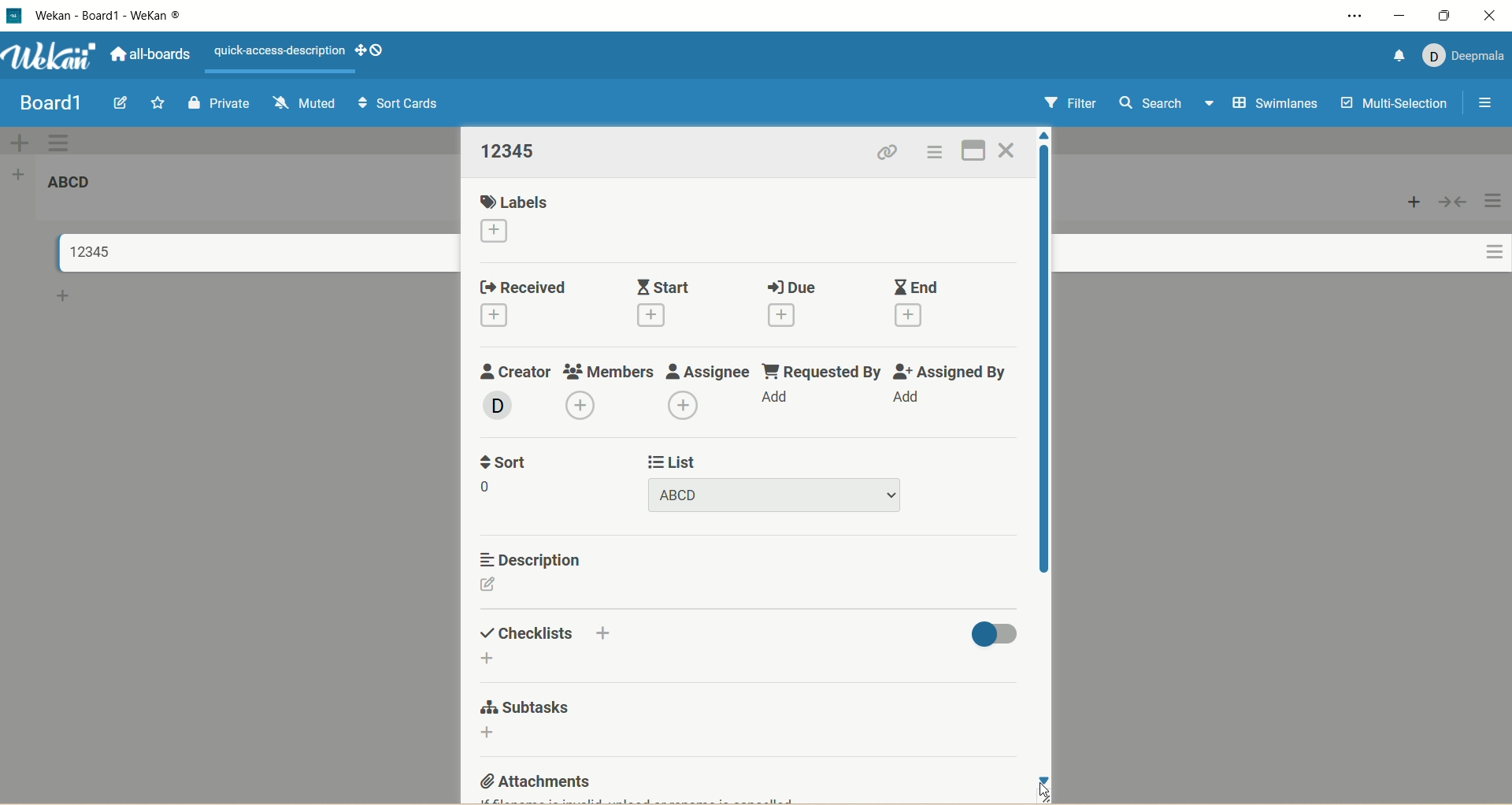 This screenshot has width=1512, height=805. Describe the element at coordinates (932, 155) in the screenshot. I see `actions` at that location.